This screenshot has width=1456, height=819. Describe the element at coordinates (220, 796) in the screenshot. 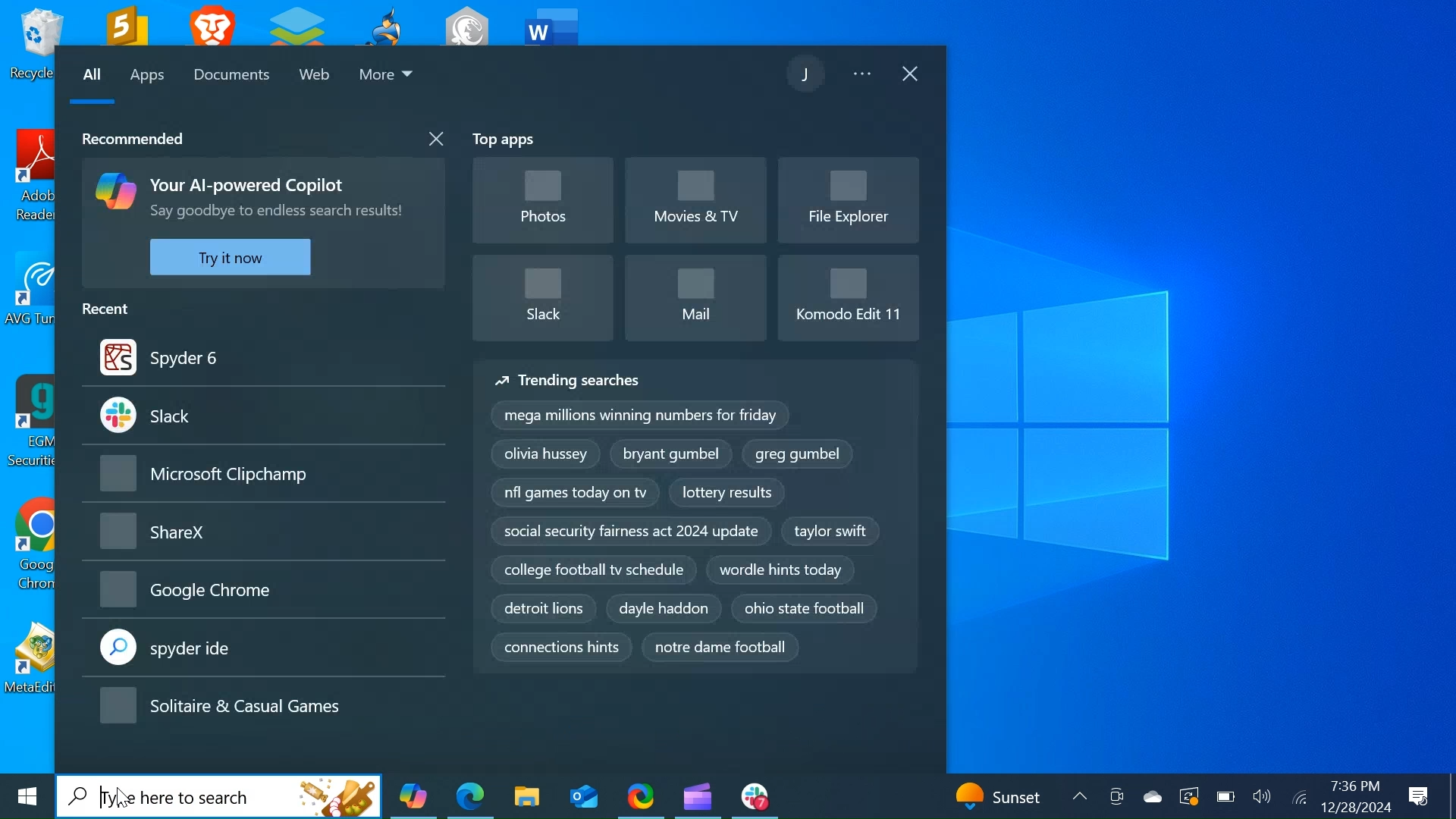

I see `Search` at that location.